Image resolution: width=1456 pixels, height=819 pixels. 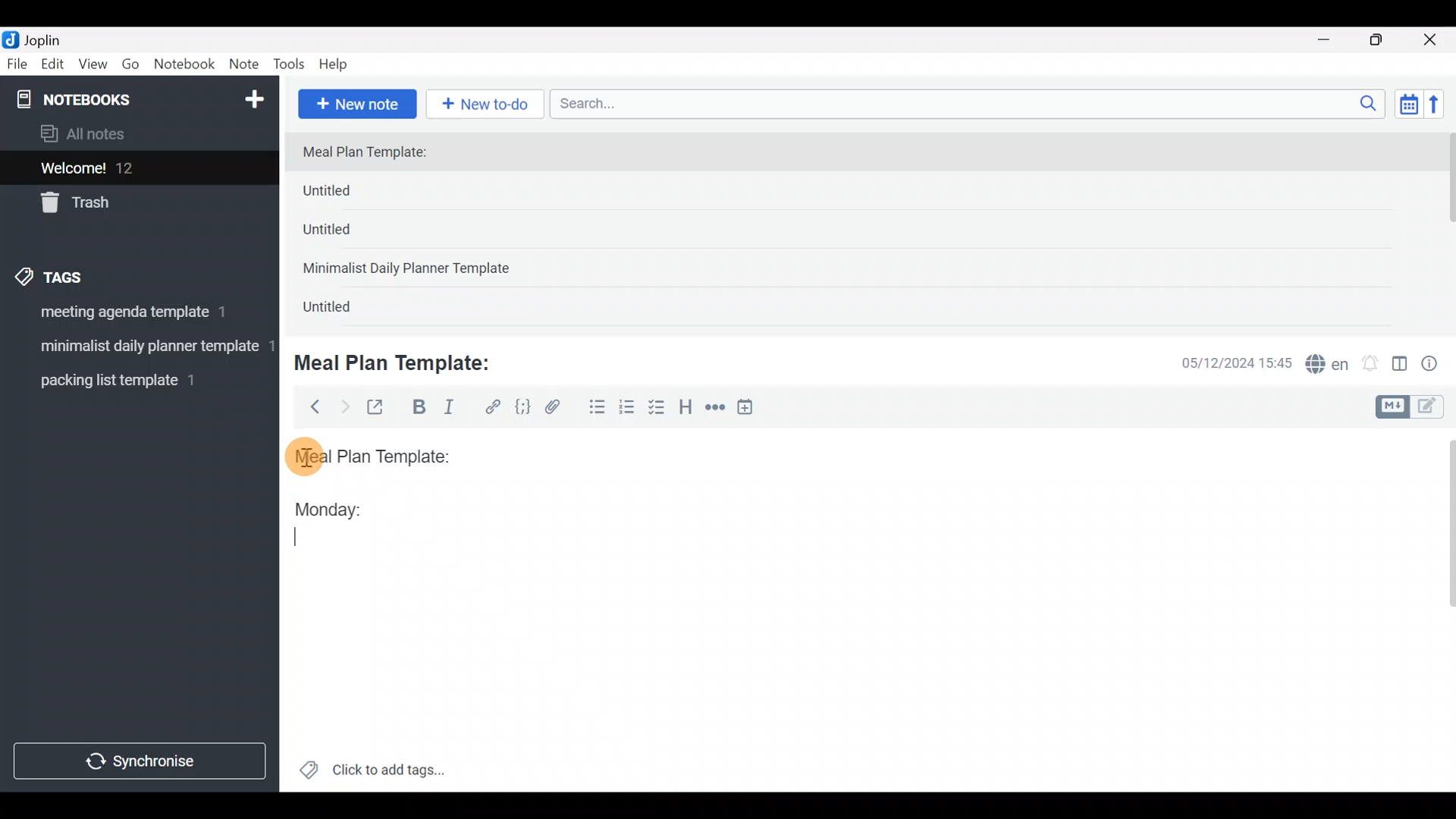 I want to click on Edit, so click(x=53, y=67).